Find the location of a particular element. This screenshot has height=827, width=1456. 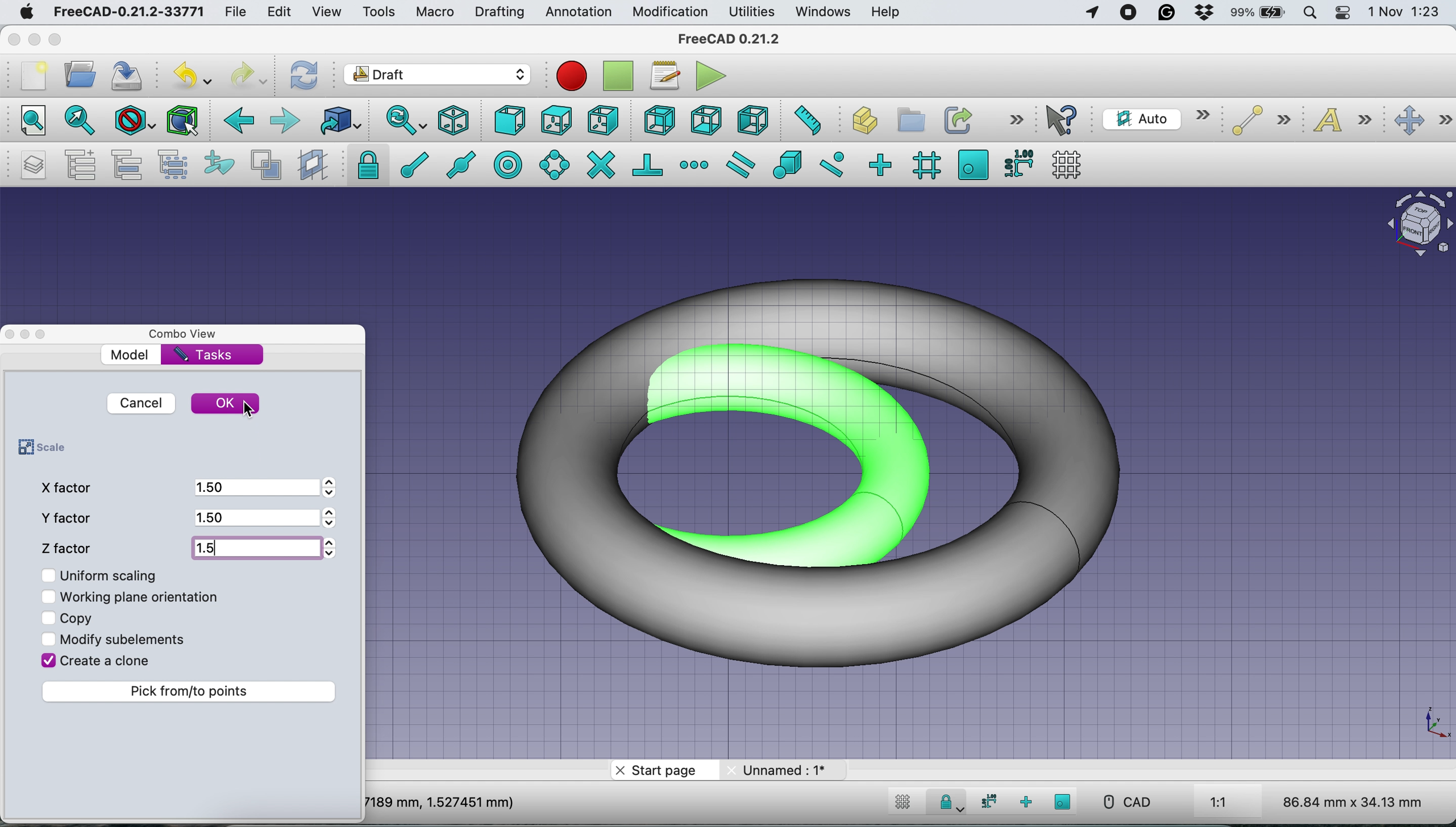

Navigation Cube is located at coordinates (1414, 224).